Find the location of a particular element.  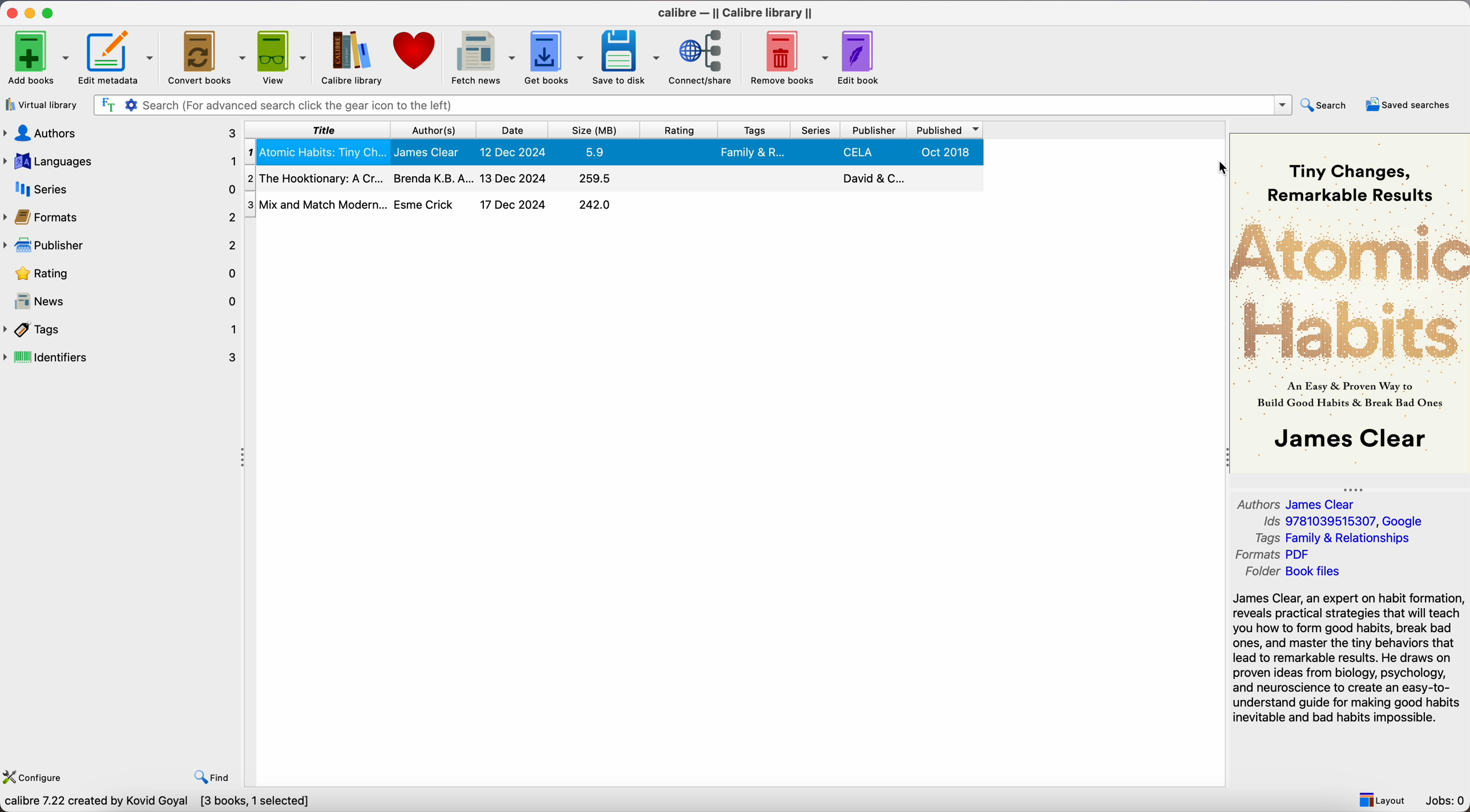

size is located at coordinates (595, 130).